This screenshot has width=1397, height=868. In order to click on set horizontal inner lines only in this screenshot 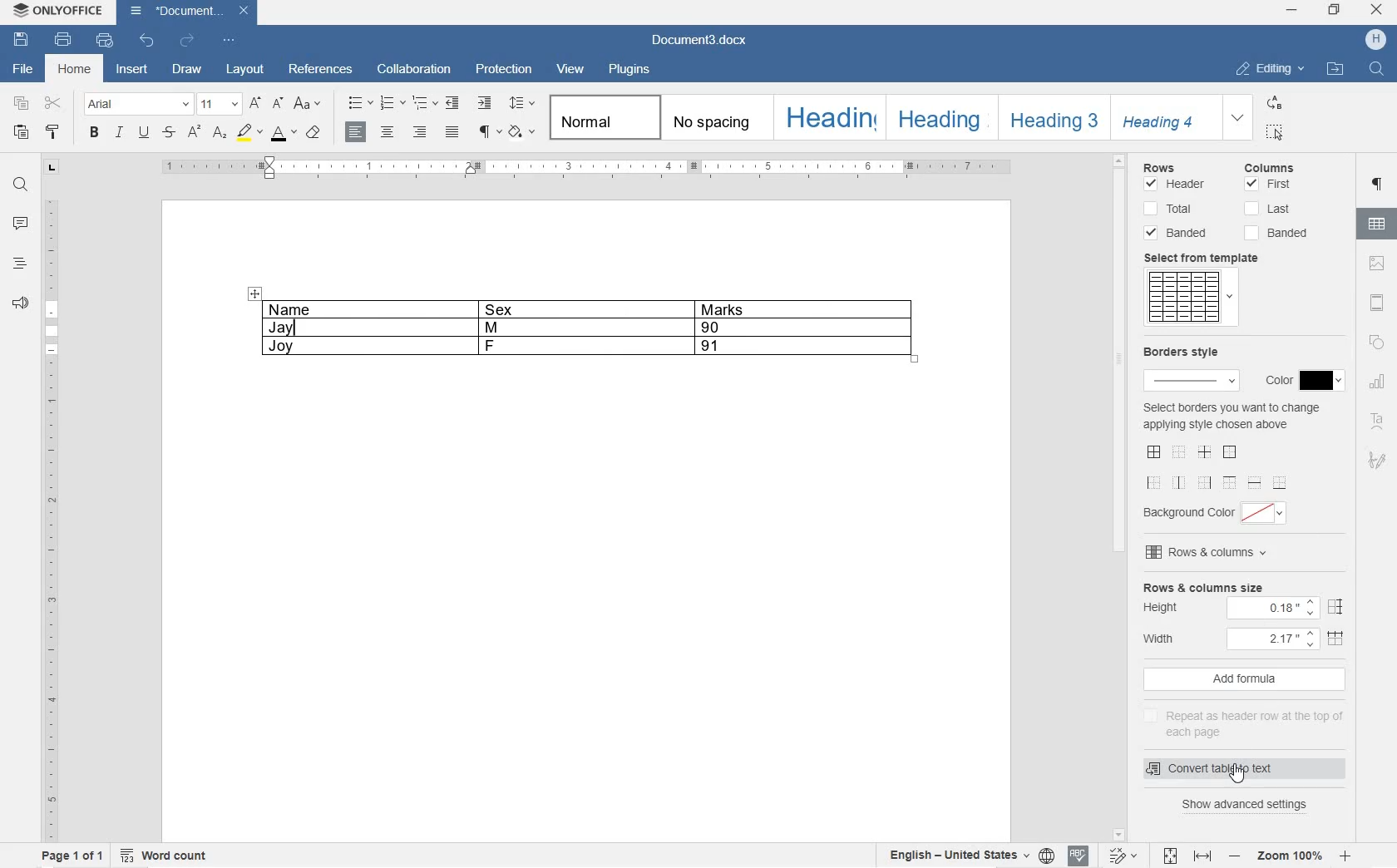, I will do `click(1254, 481)`.